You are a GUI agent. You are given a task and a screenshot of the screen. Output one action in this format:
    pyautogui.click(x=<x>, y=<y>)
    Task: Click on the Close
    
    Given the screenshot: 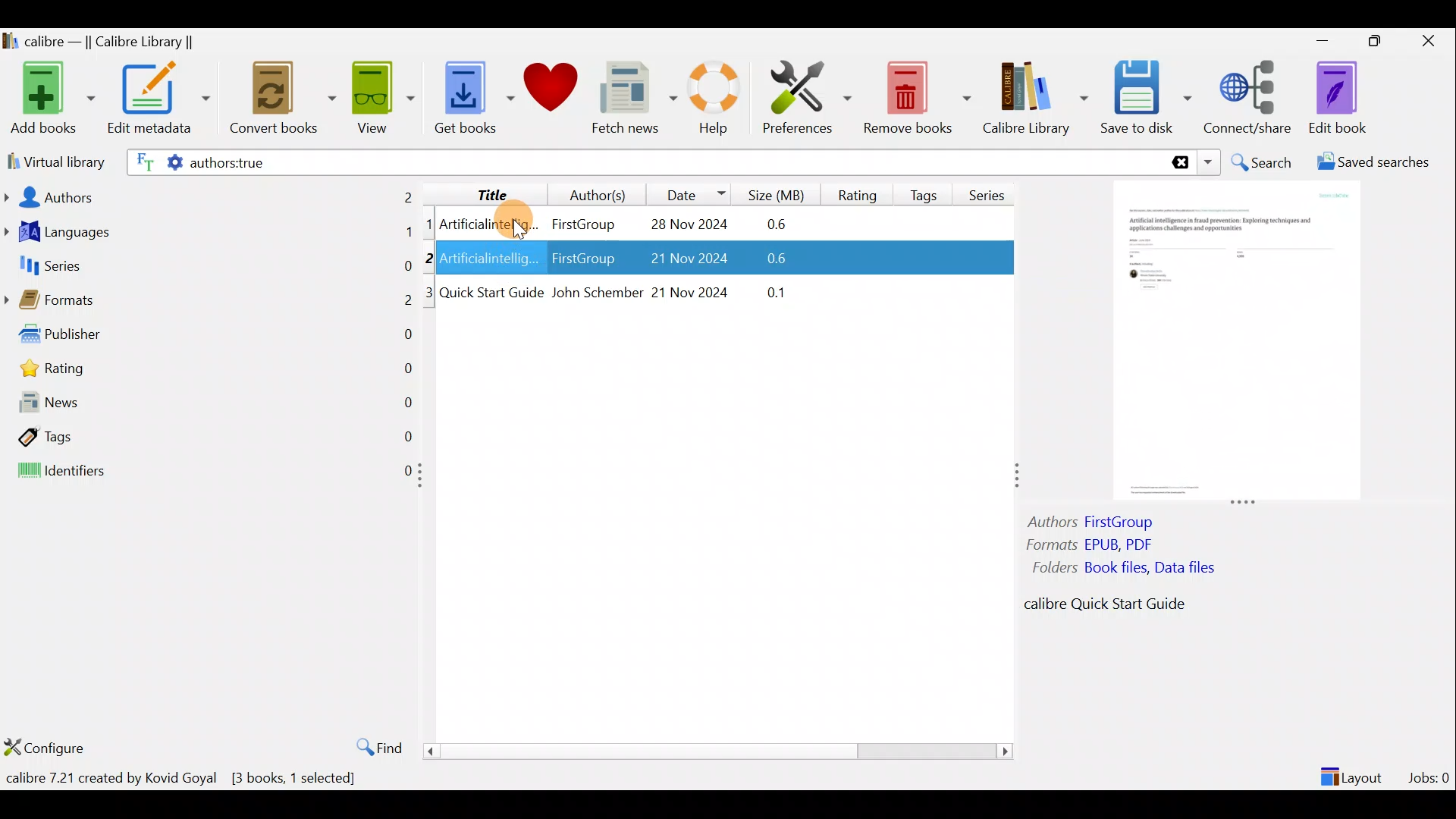 What is the action you would take?
    pyautogui.click(x=1432, y=40)
    